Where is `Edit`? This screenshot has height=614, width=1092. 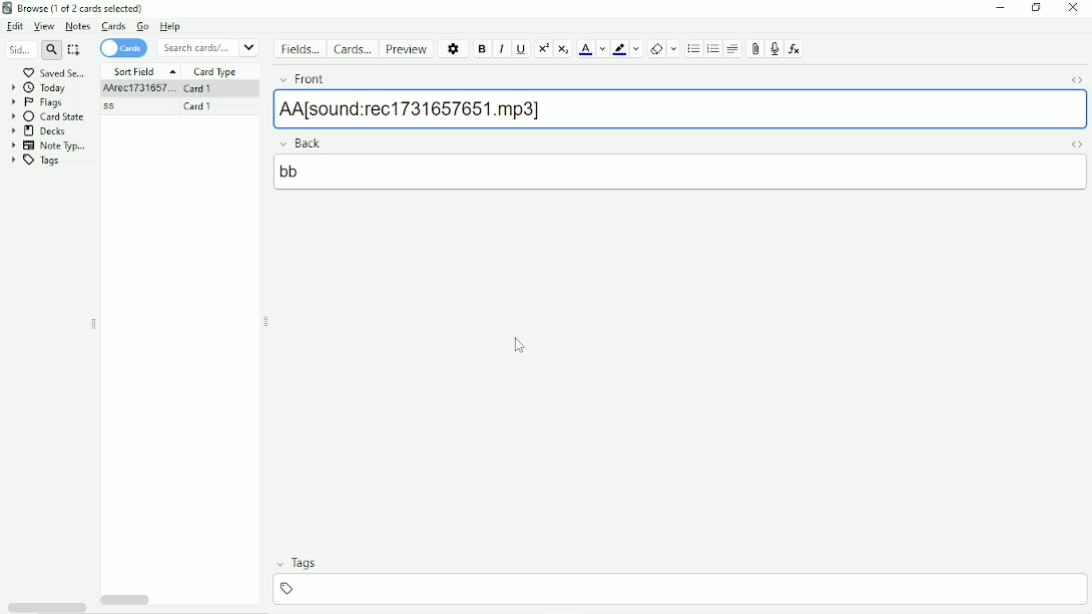 Edit is located at coordinates (15, 27).